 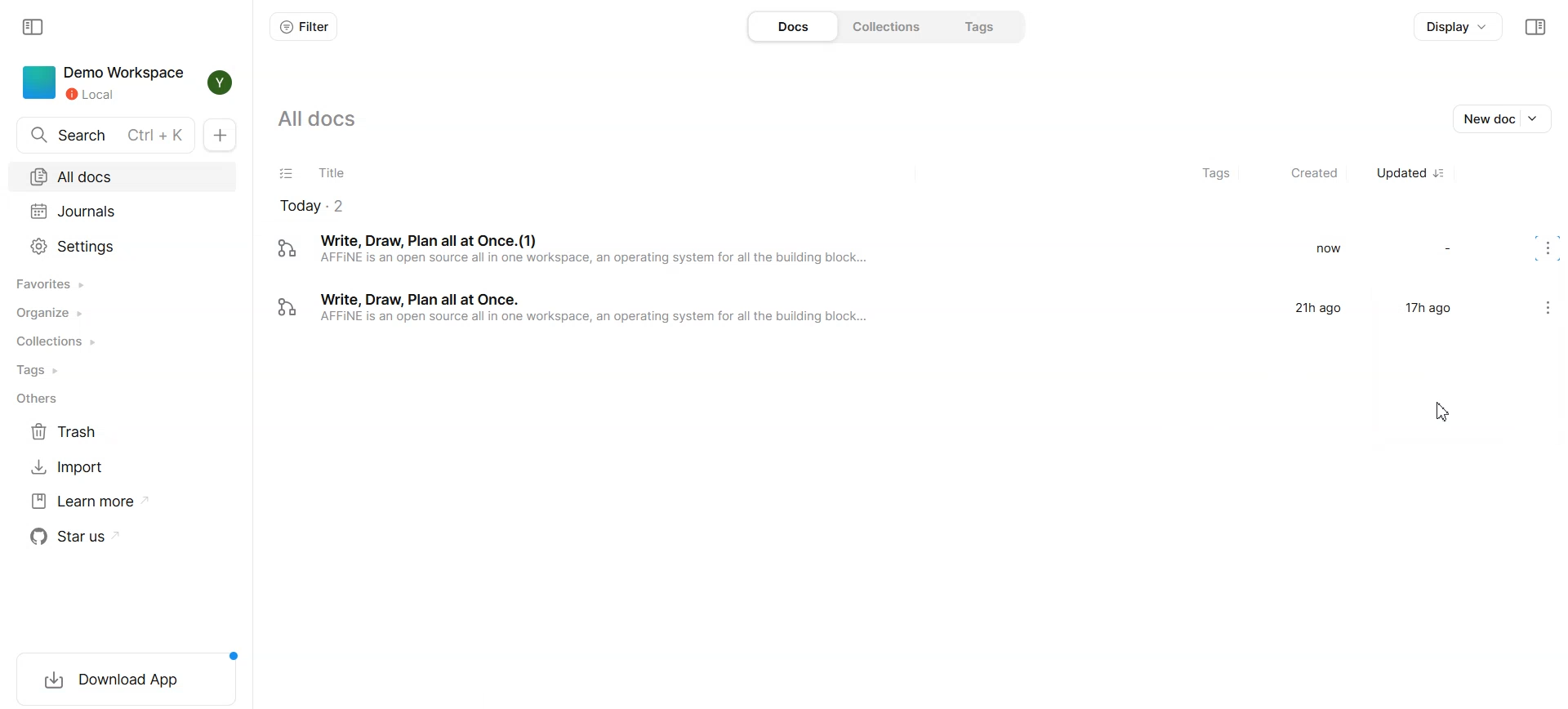 What do you see at coordinates (221, 82) in the screenshot?
I see `Profile` at bounding box center [221, 82].